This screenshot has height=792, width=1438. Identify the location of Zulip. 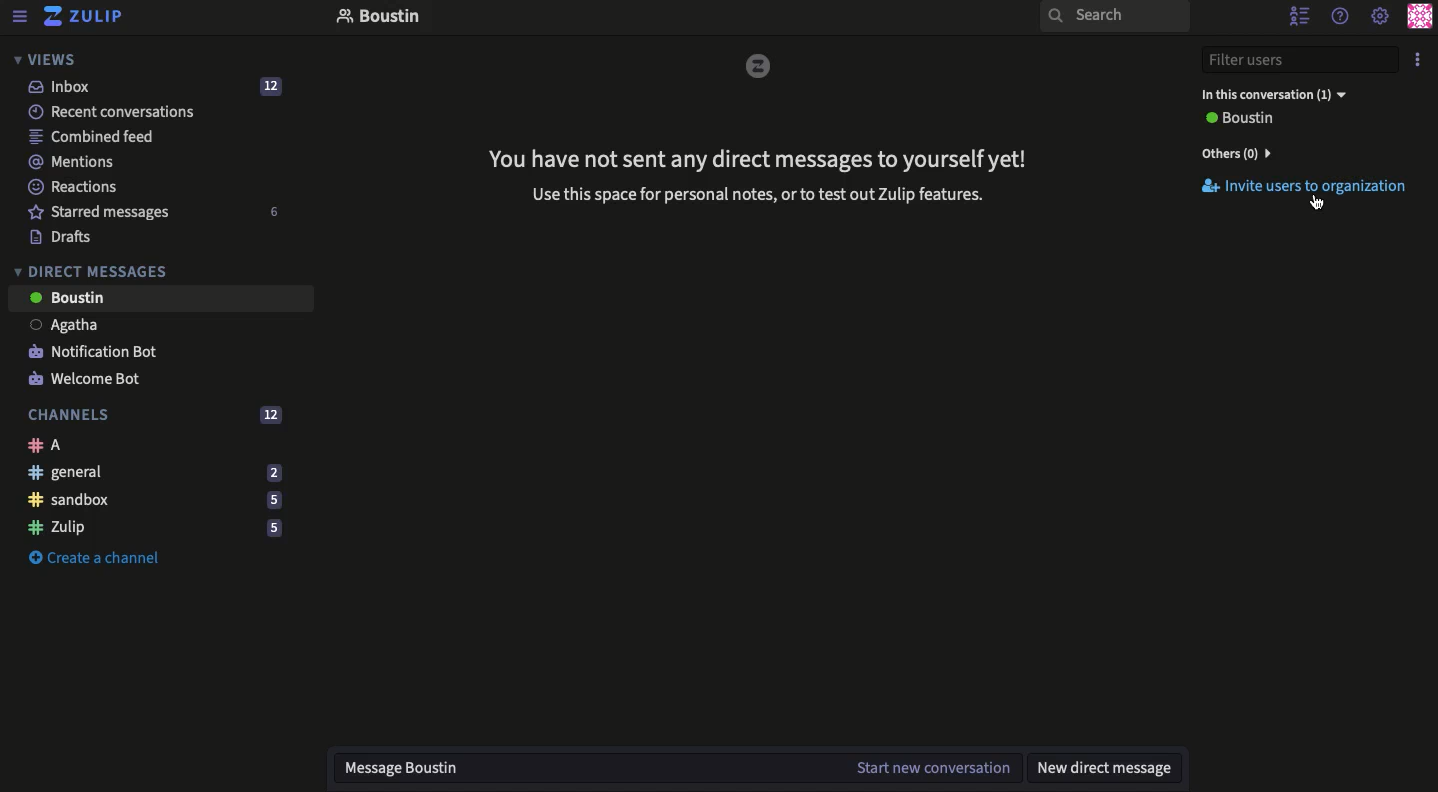
(752, 66).